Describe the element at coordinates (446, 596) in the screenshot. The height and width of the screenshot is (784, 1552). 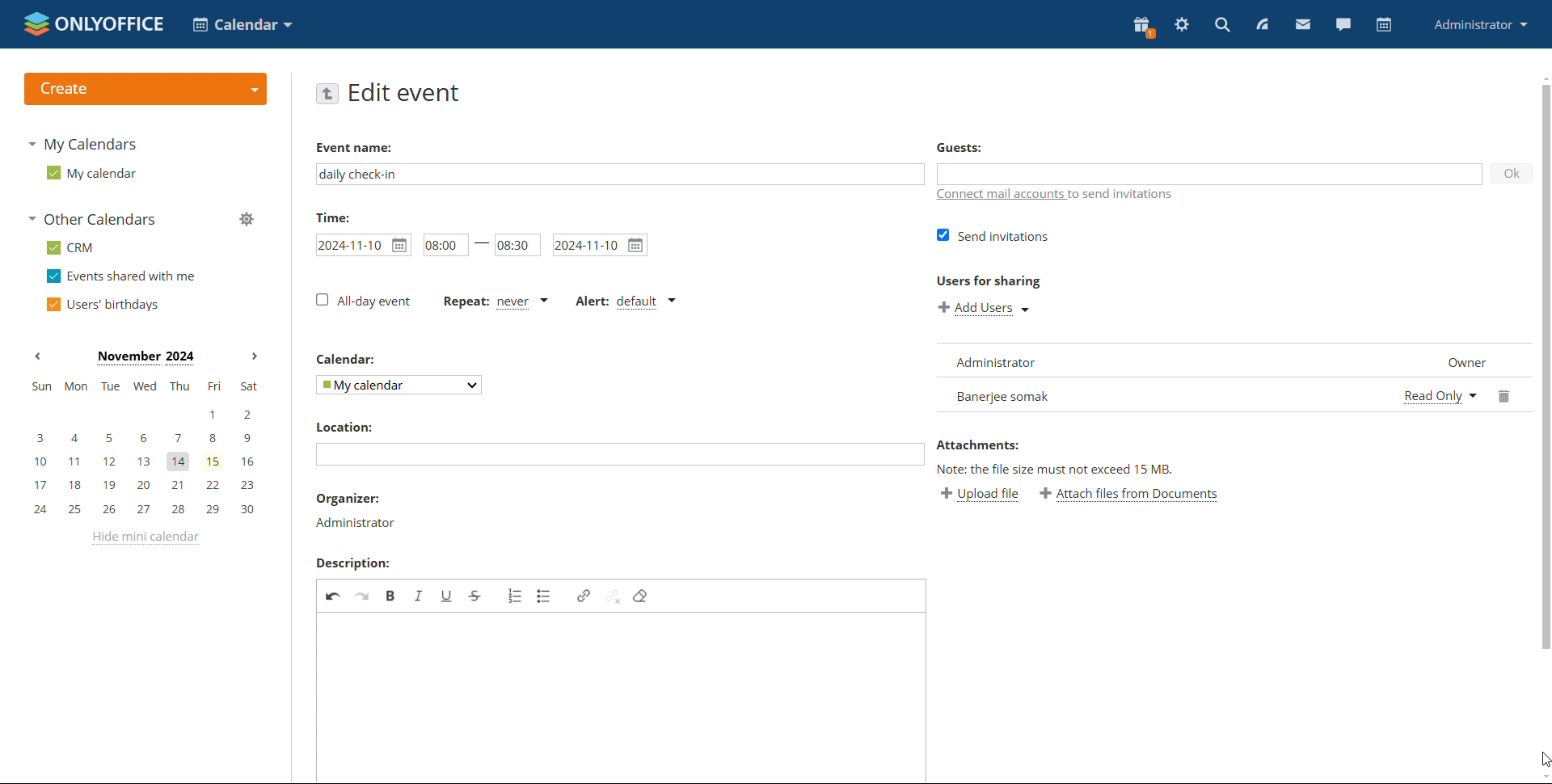
I see `underline` at that location.